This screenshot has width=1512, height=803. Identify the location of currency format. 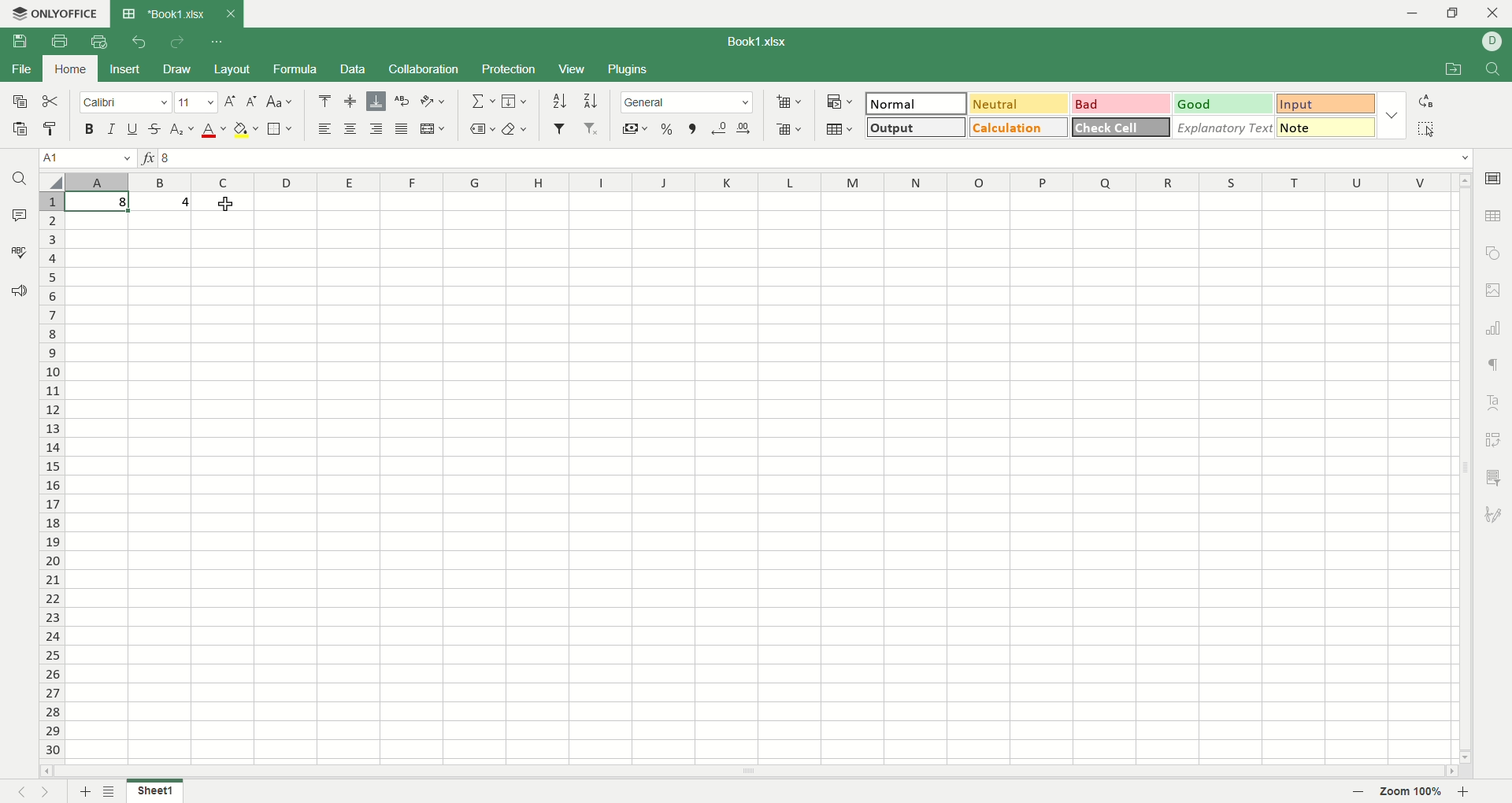
(633, 129).